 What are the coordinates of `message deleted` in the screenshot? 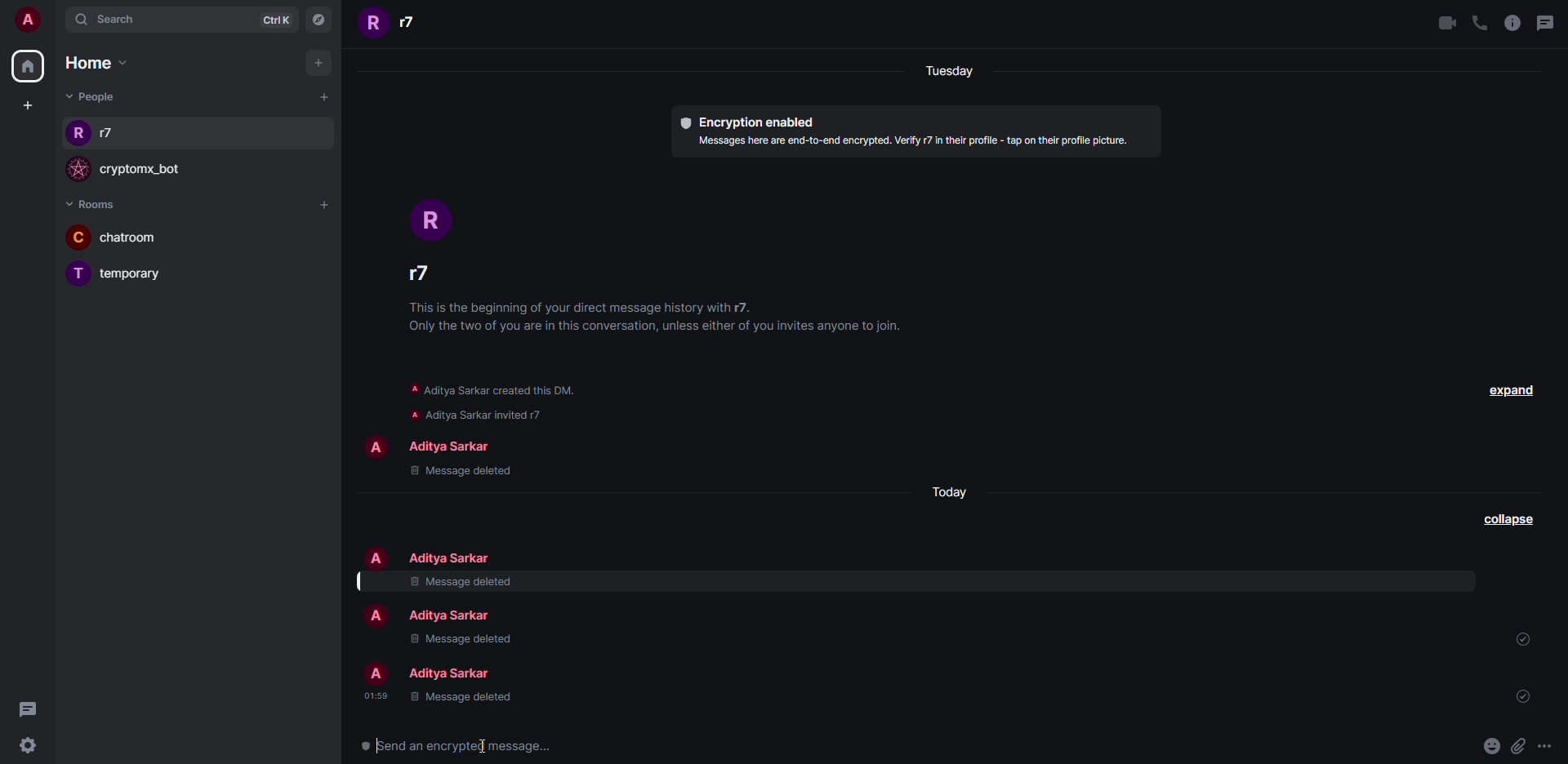 It's located at (467, 698).